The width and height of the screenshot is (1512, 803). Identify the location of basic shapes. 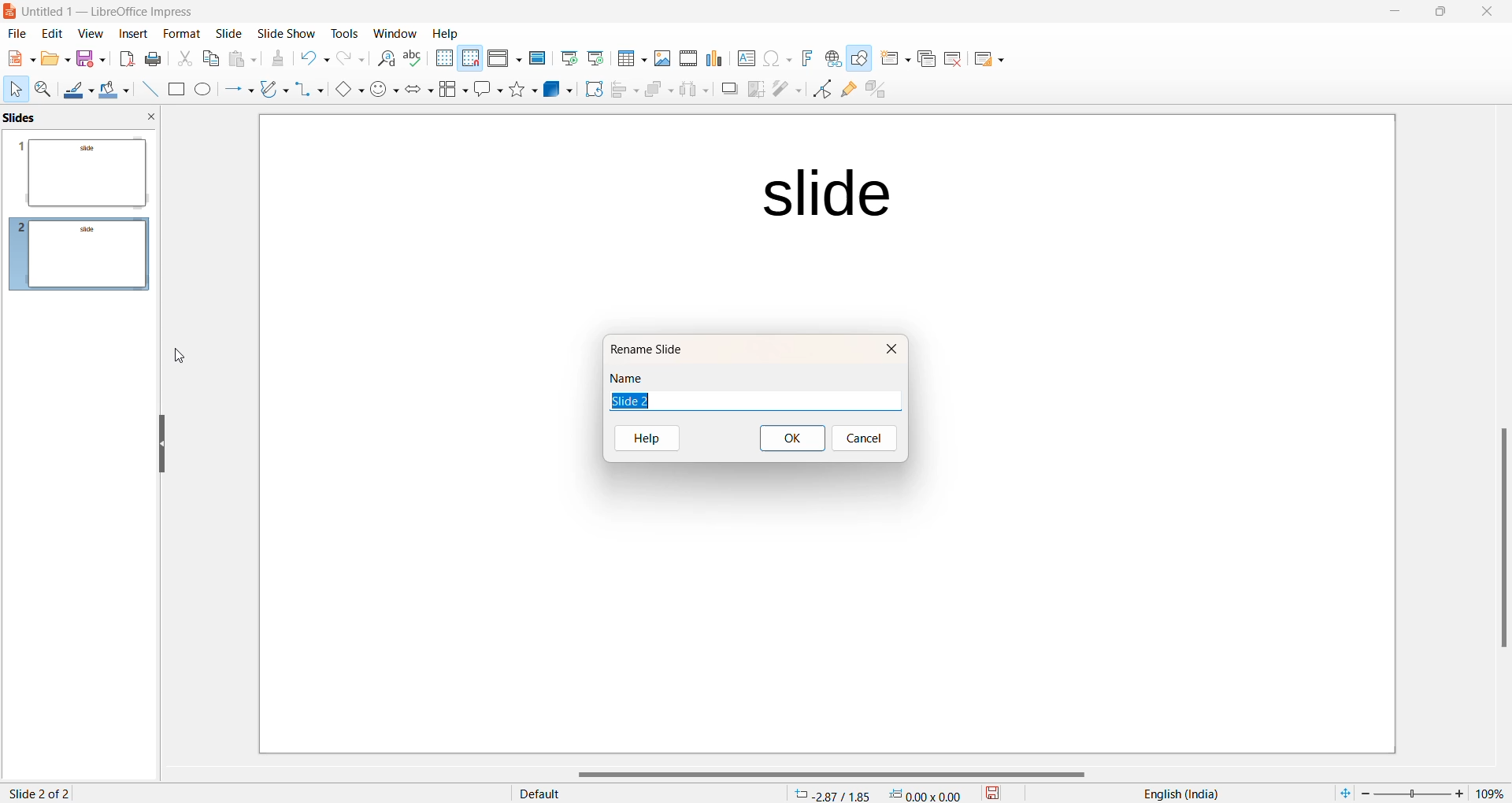
(344, 88).